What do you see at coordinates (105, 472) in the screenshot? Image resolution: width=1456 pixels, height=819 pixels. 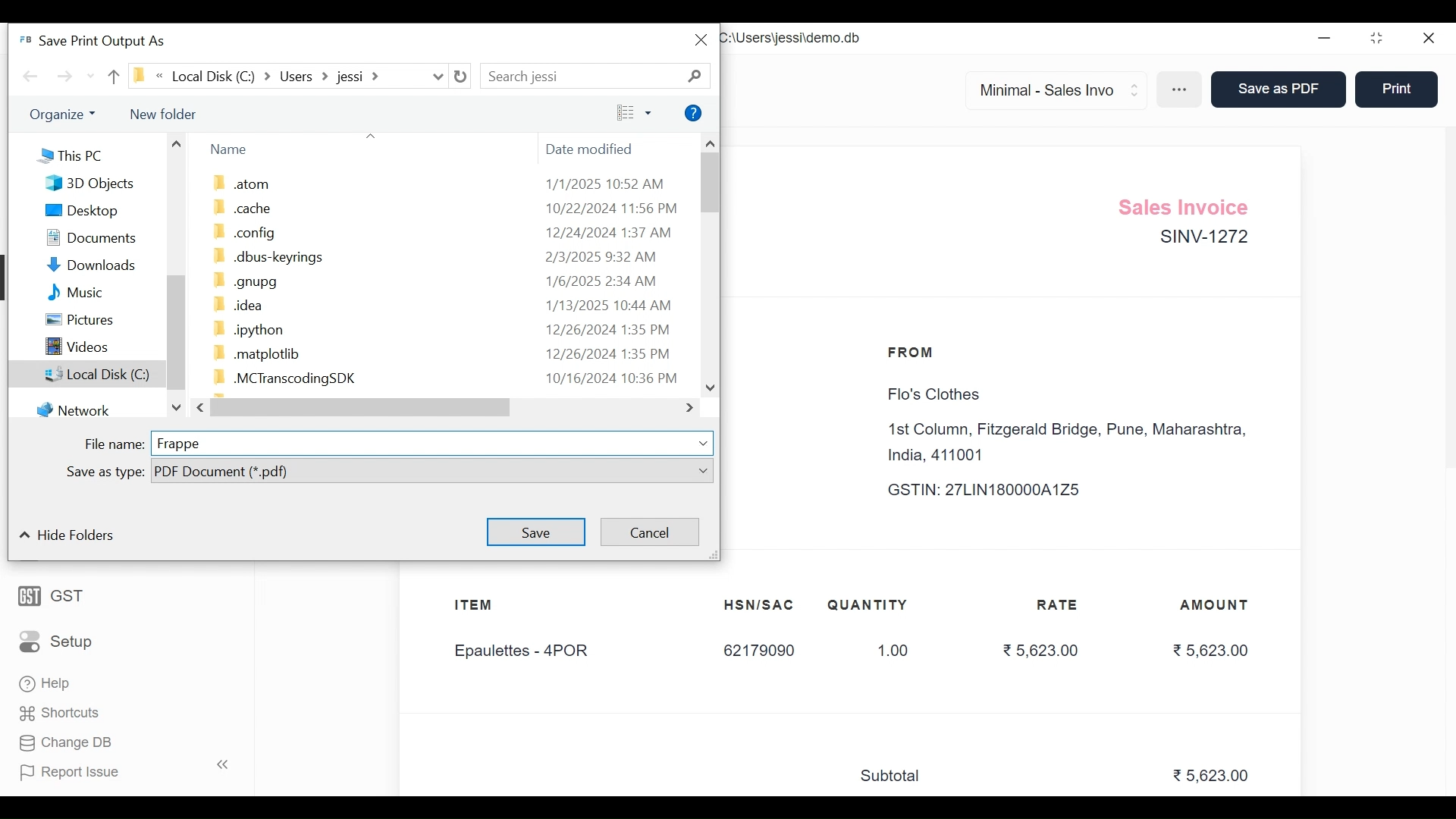 I see `Save as type:` at bounding box center [105, 472].